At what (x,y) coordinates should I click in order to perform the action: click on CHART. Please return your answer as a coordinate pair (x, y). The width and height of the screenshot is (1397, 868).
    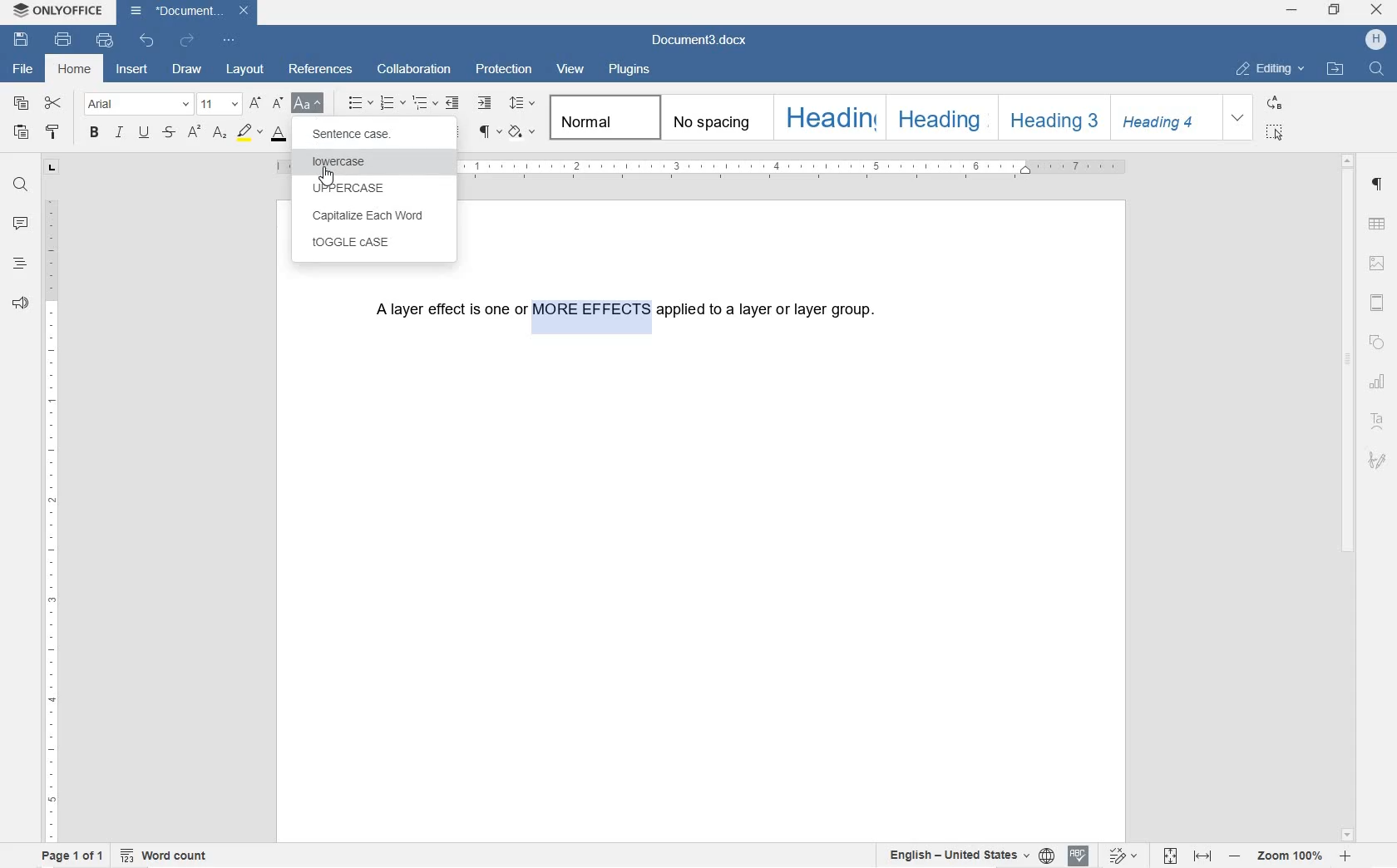
    Looking at the image, I should click on (1380, 382).